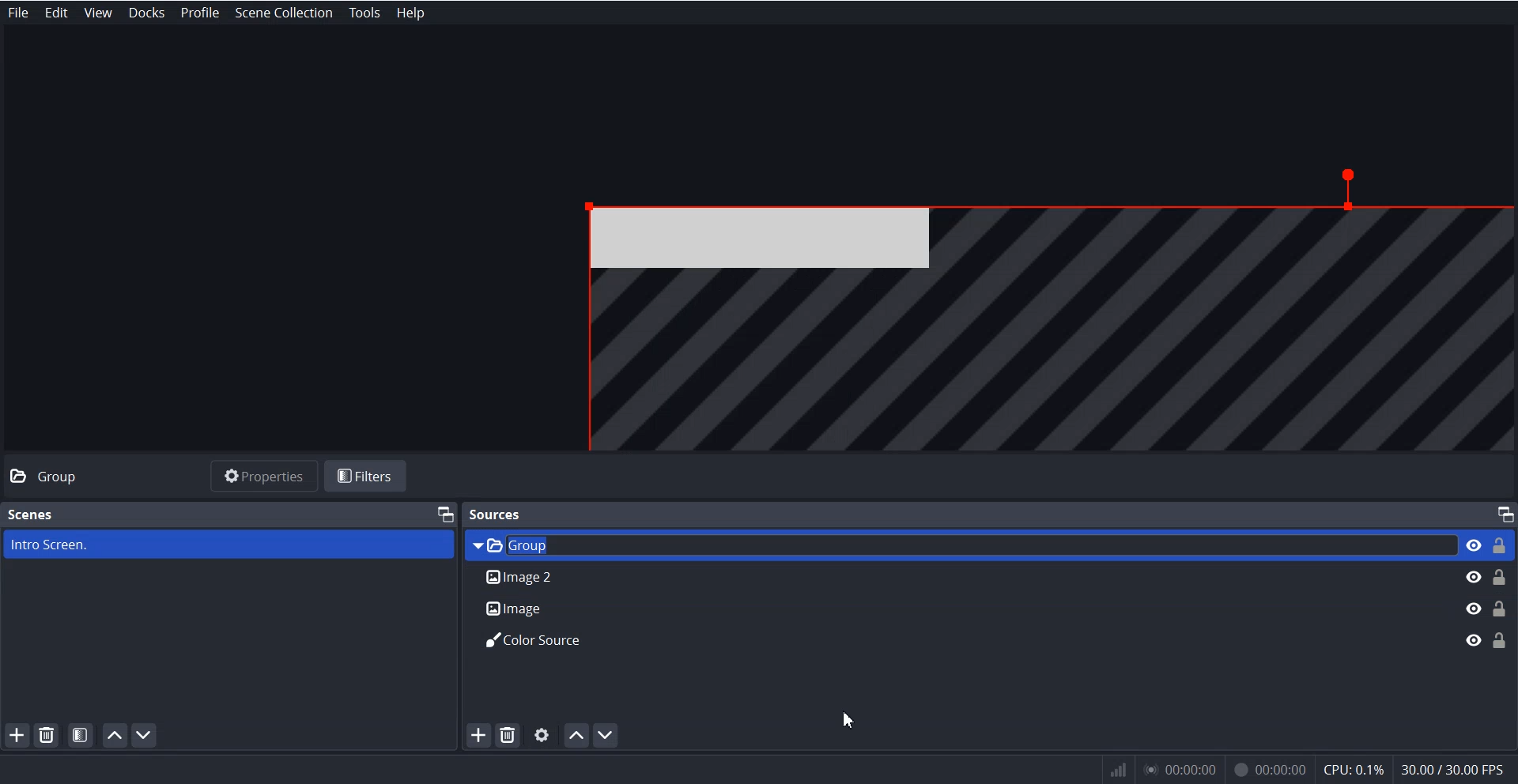 The image size is (1518, 784). Describe the element at coordinates (147, 13) in the screenshot. I see `Docks` at that location.